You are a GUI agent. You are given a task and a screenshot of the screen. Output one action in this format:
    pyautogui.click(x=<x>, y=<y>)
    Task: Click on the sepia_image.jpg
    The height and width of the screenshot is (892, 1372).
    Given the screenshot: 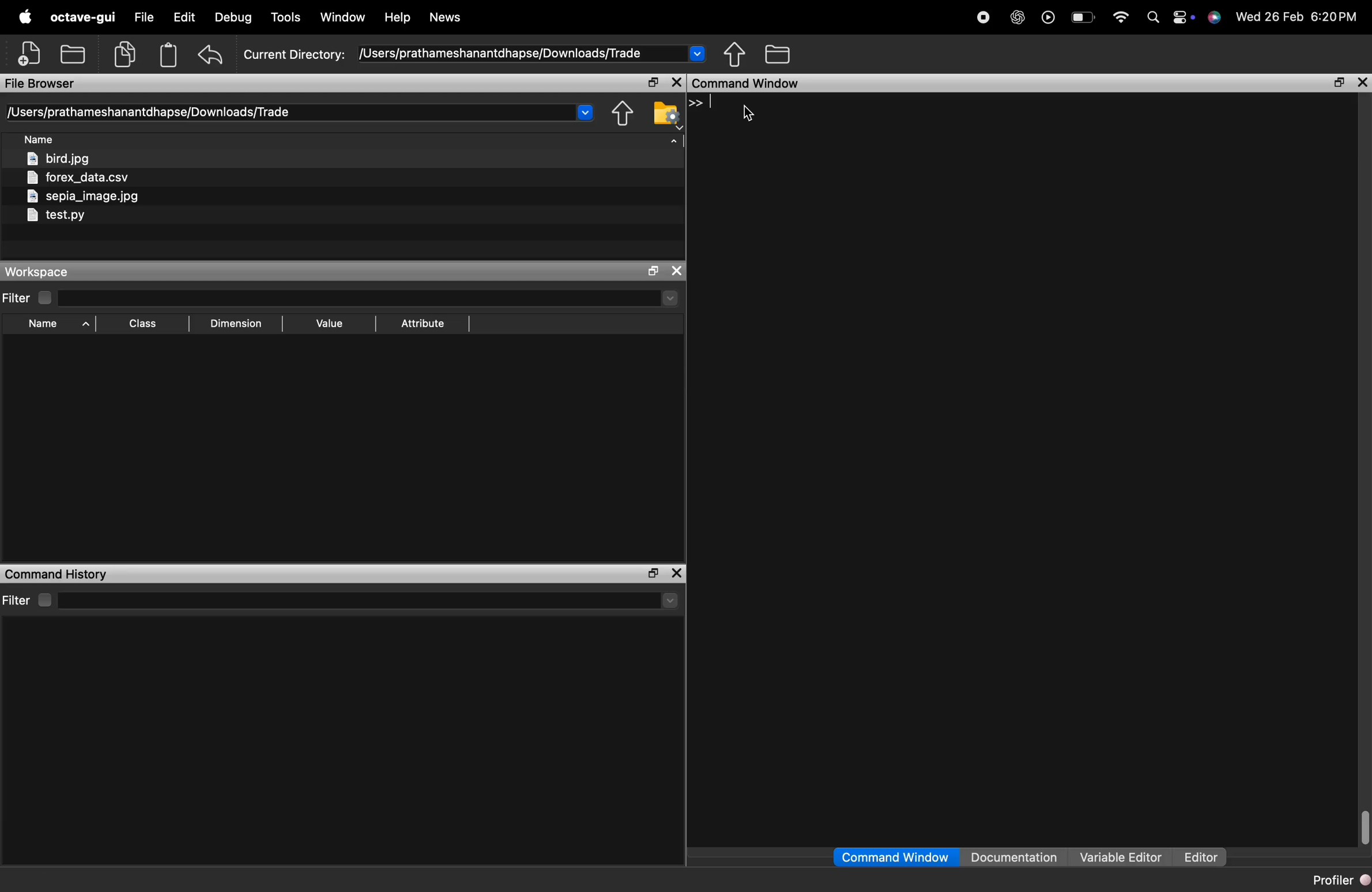 What is the action you would take?
    pyautogui.click(x=84, y=196)
    